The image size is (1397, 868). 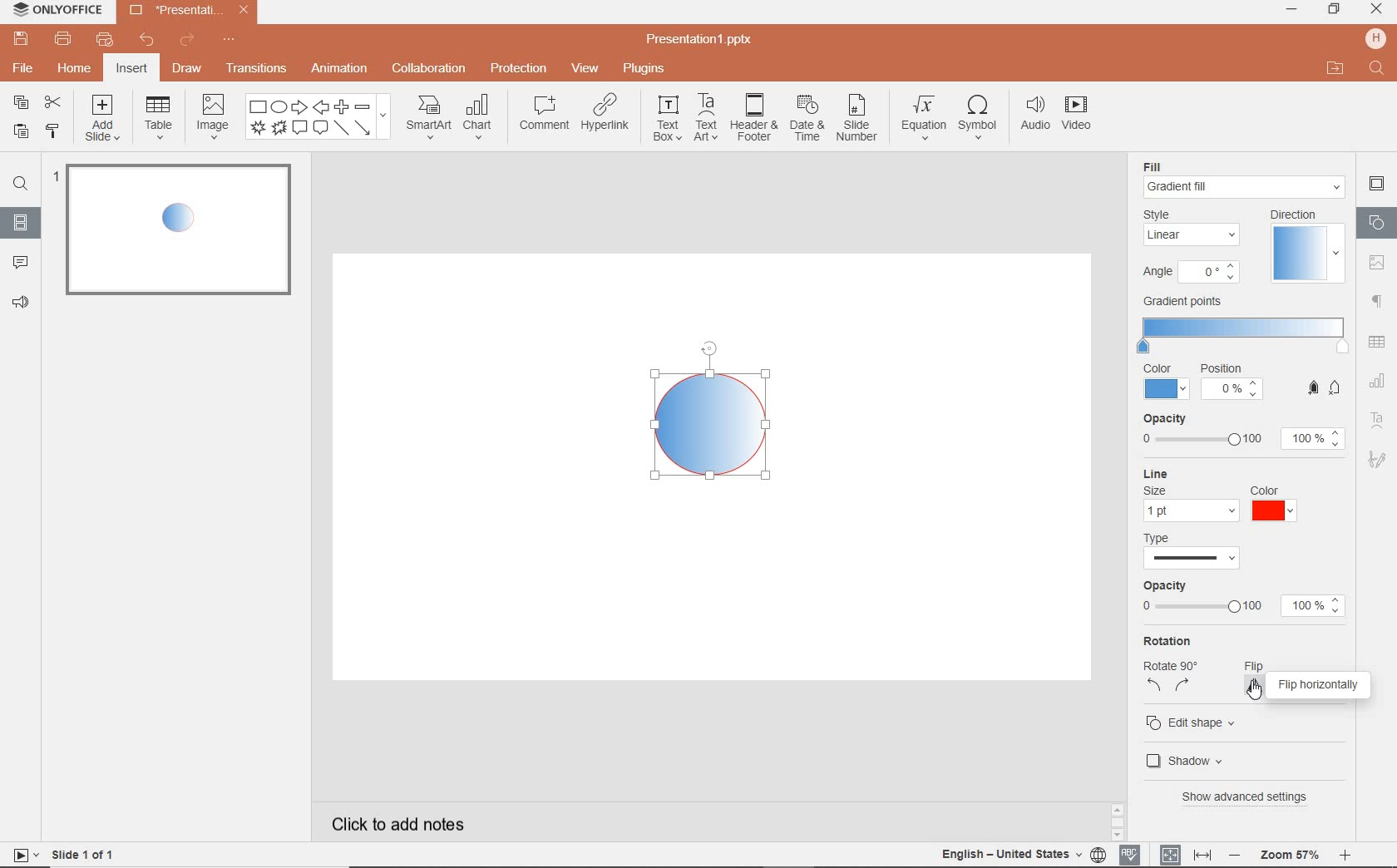 I want to click on collaboration, so click(x=430, y=70).